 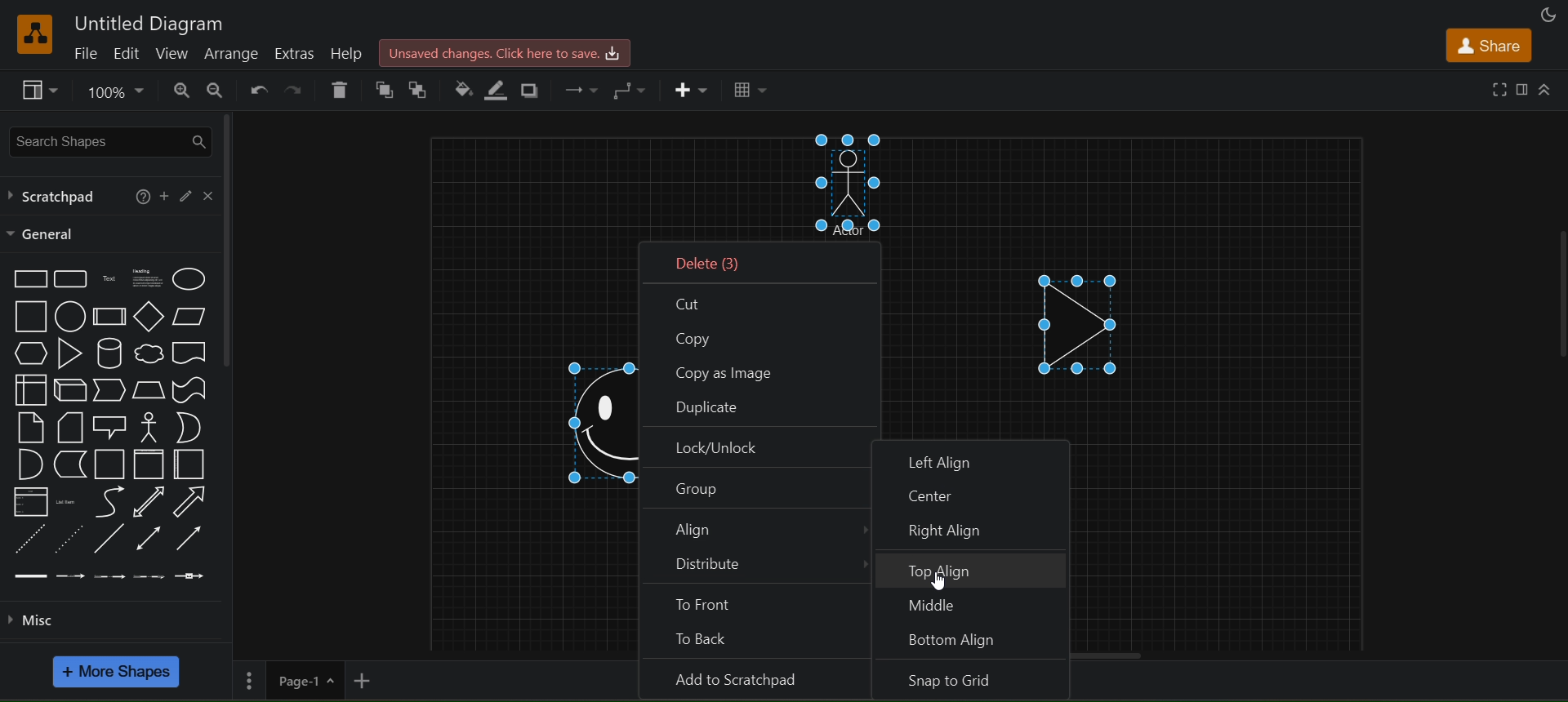 What do you see at coordinates (68, 500) in the screenshot?
I see `list items` at bounding box center [68, 500].